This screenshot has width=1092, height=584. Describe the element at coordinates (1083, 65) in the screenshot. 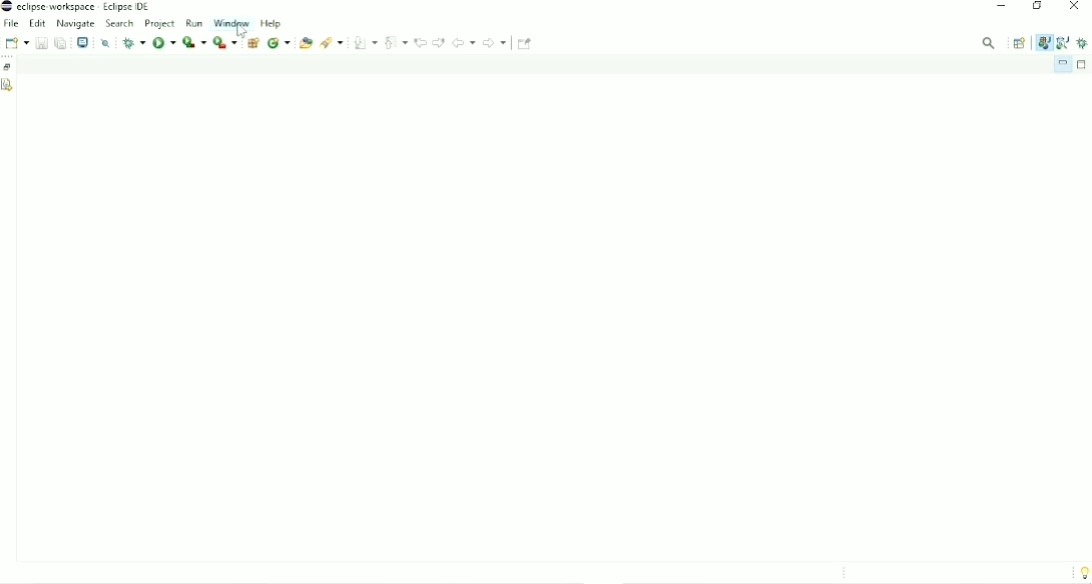

I see `Maximize` at that location.